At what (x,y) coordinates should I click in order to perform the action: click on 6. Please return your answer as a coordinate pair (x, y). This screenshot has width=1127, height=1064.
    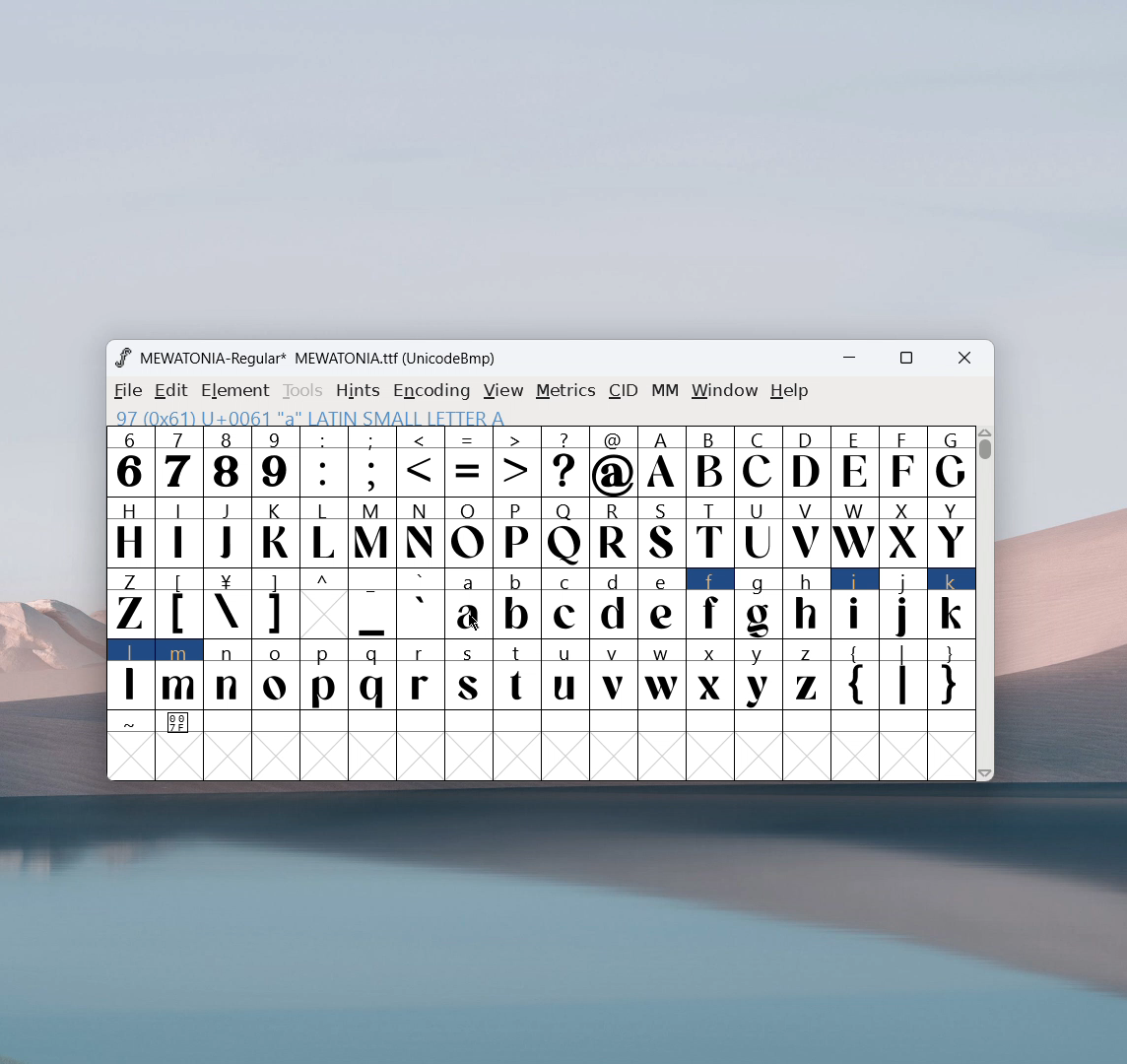
    Looking at the image, I should click on (130, 461).